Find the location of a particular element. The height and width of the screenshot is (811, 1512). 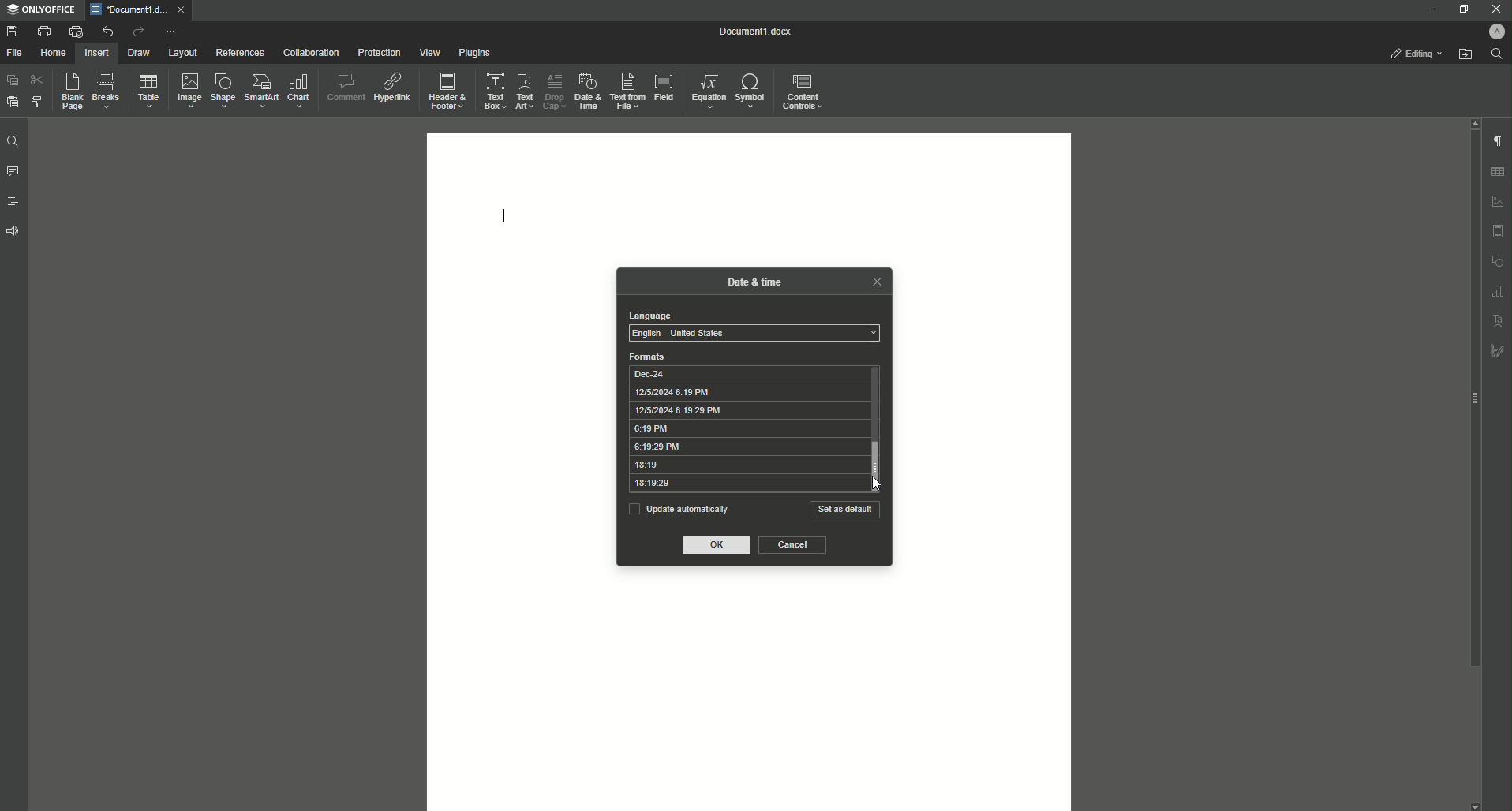

Cut is located at coordinates (36, 80).